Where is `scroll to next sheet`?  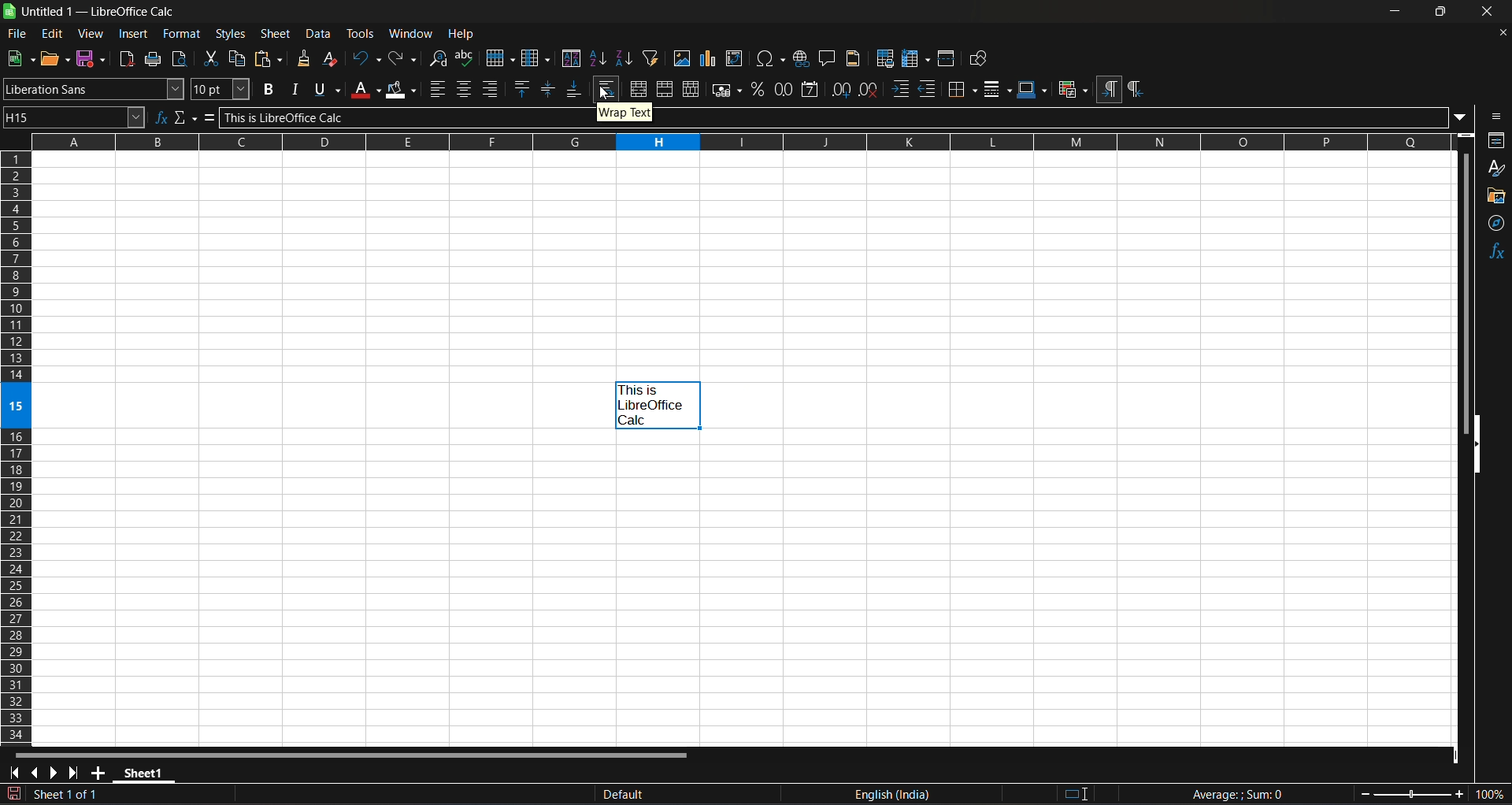
scroll to next sheet is located at coordinates (56, 772).